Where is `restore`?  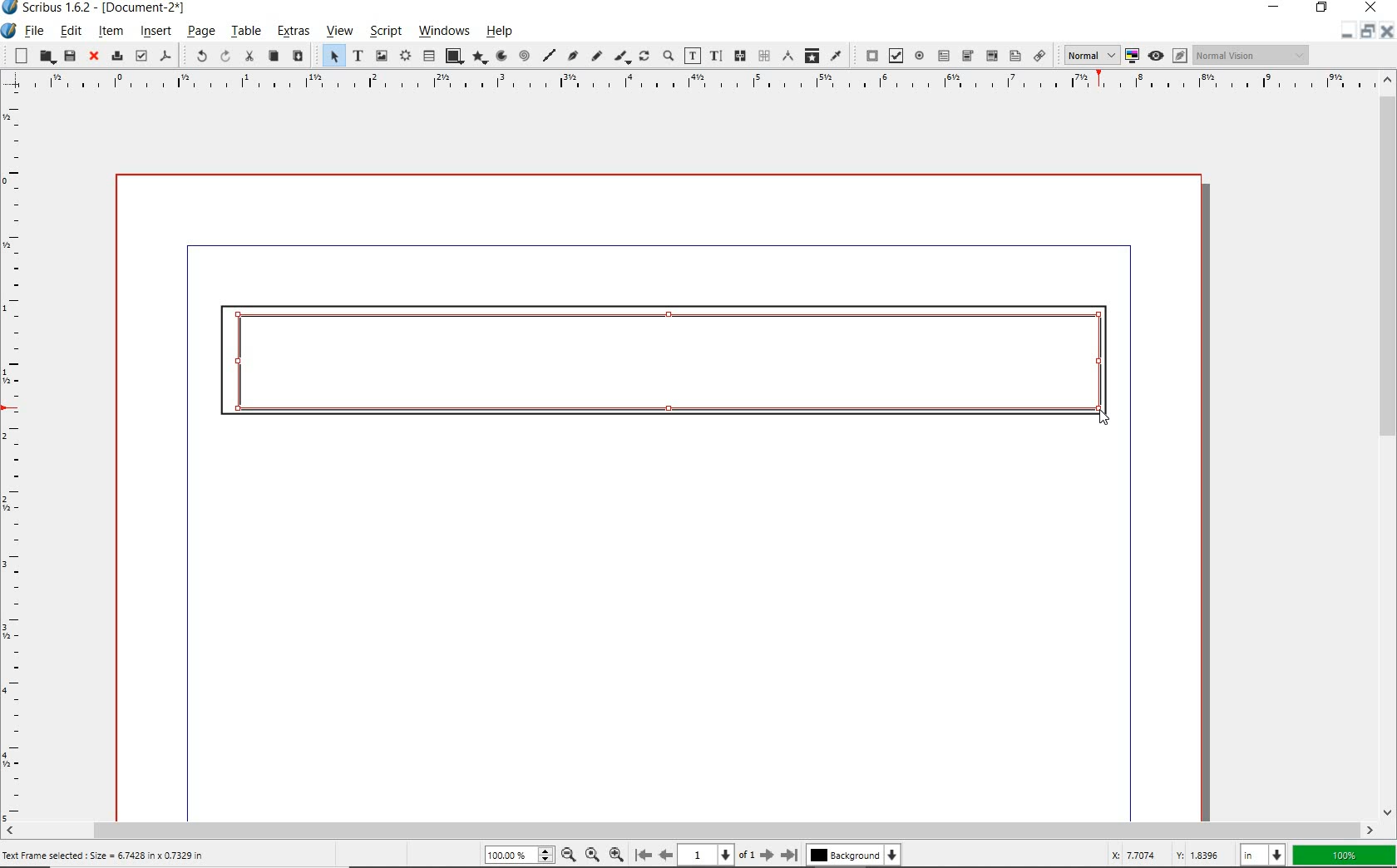 restore is located at coordinates (1368, 35).